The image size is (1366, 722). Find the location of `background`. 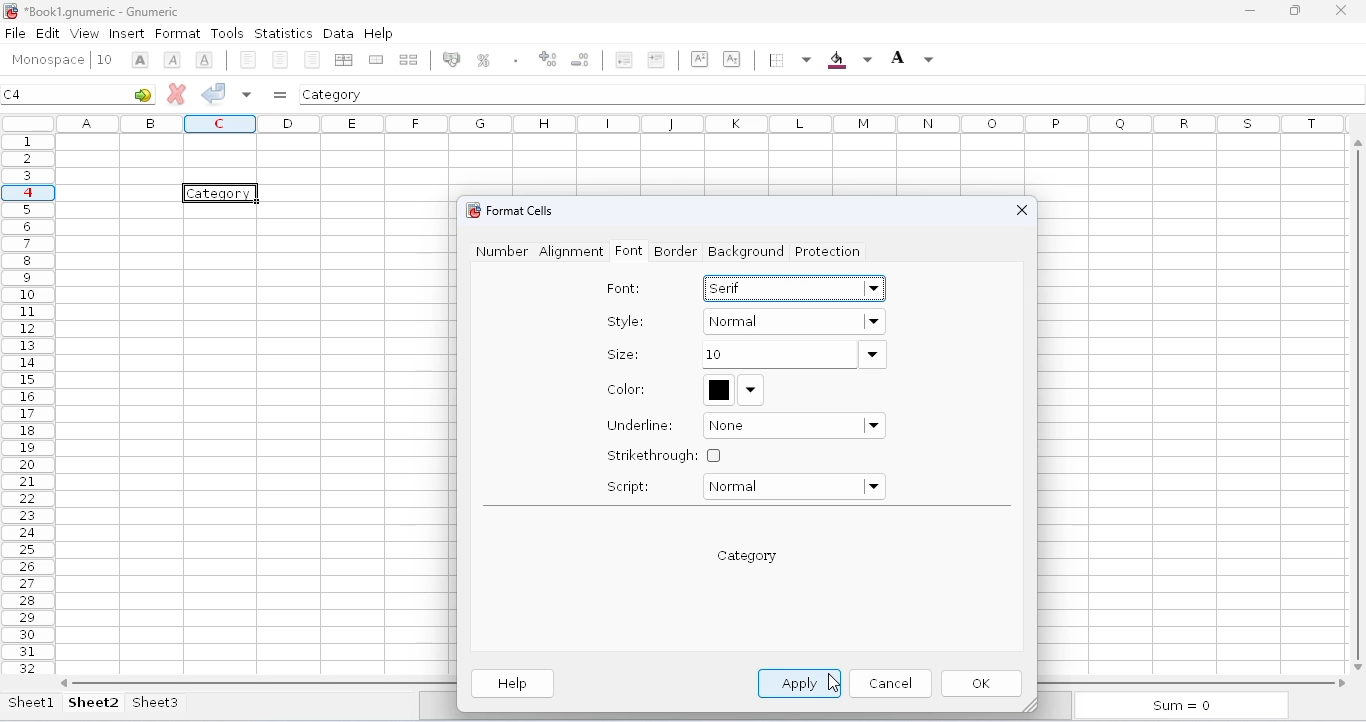

background is located at coordinates (849, 60).